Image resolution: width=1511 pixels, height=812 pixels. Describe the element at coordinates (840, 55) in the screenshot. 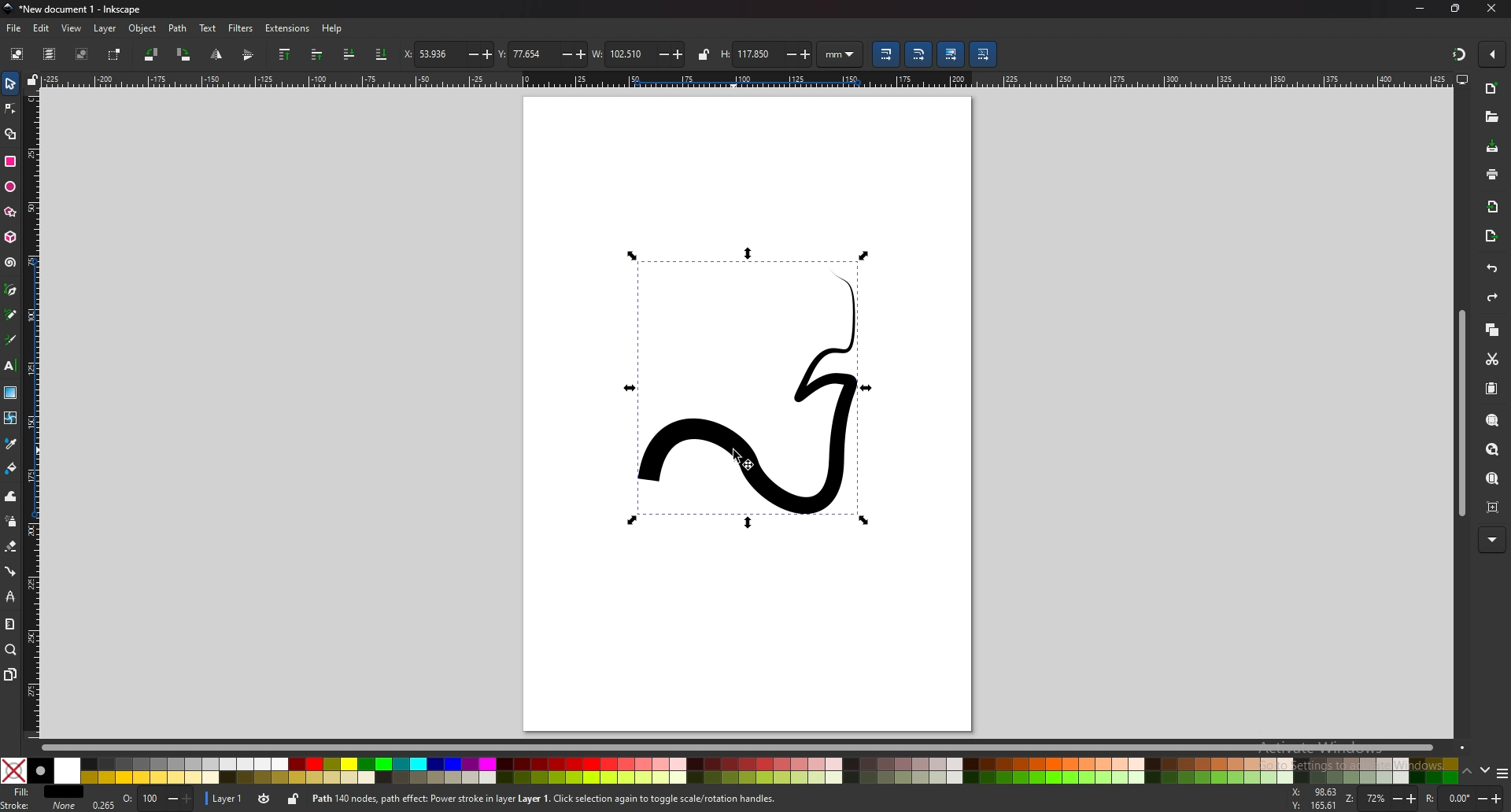

I see `unit` at that location.